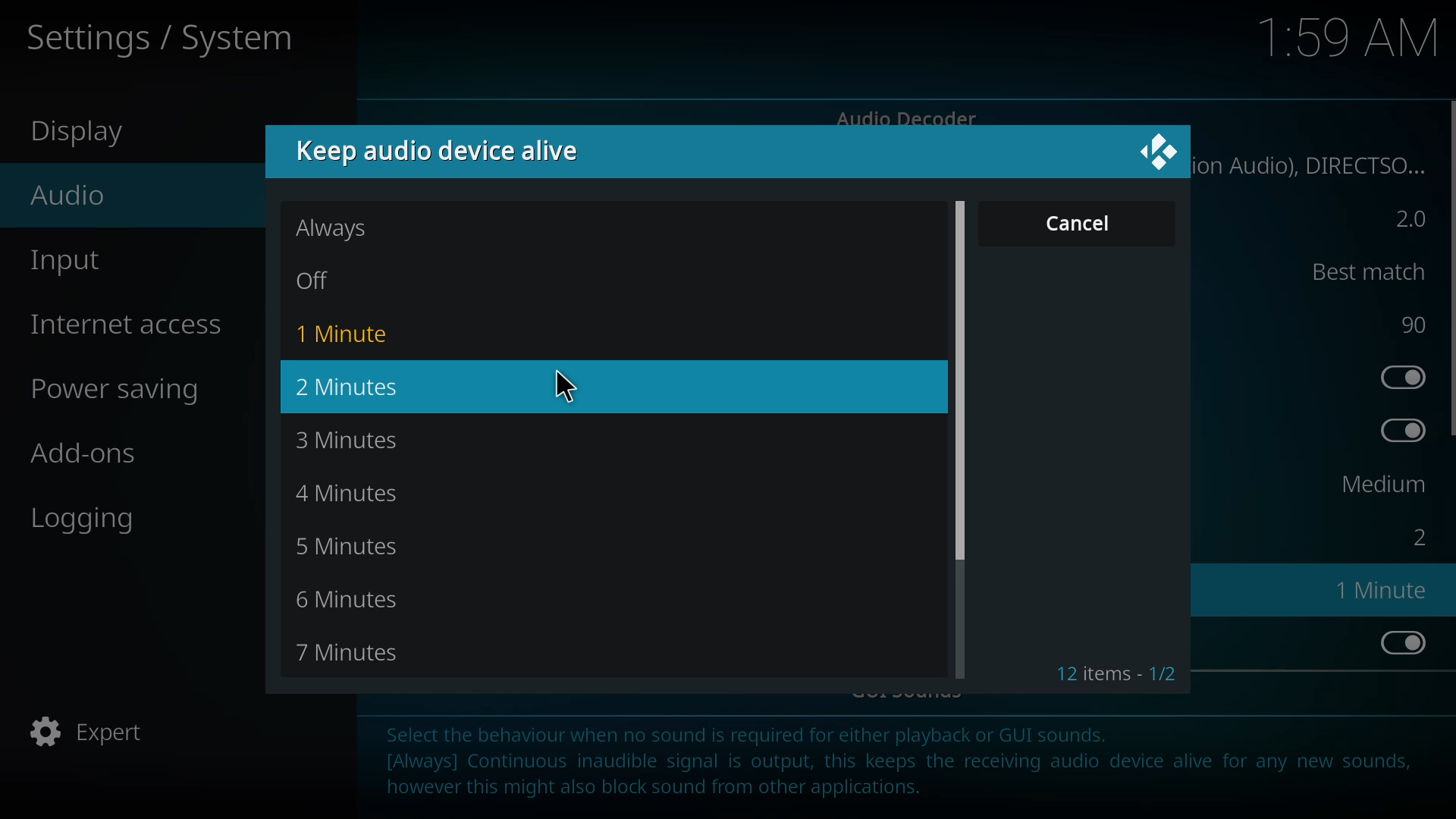 The image size is (1456, 819). Describe the element at coordinates (357, 442) in the screenshot. I see `3 min` at that location.